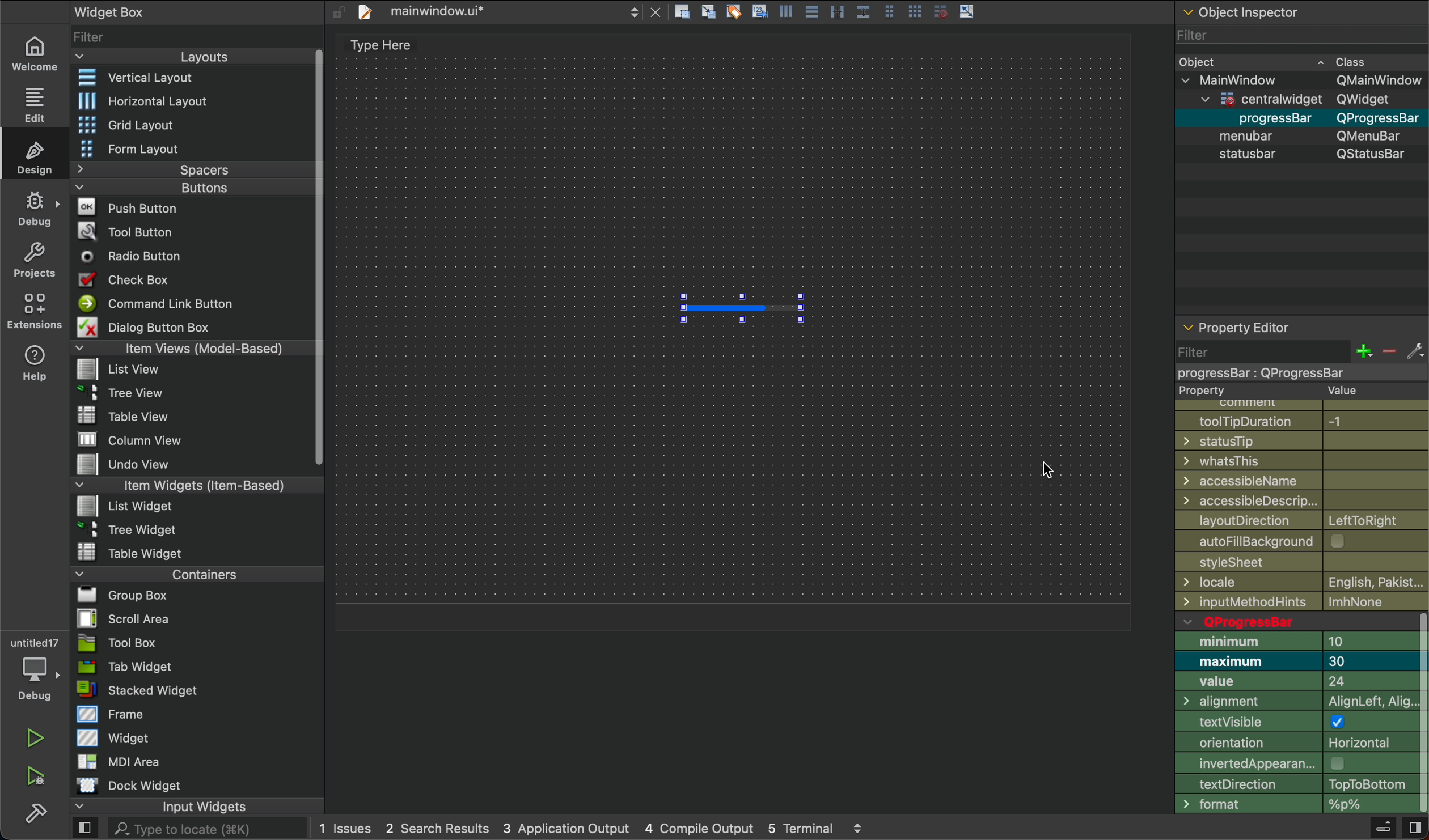  What do you see at coordinates (37, 776) in the screenshot?
I see `run and debug` at bounding box center [37, 776].